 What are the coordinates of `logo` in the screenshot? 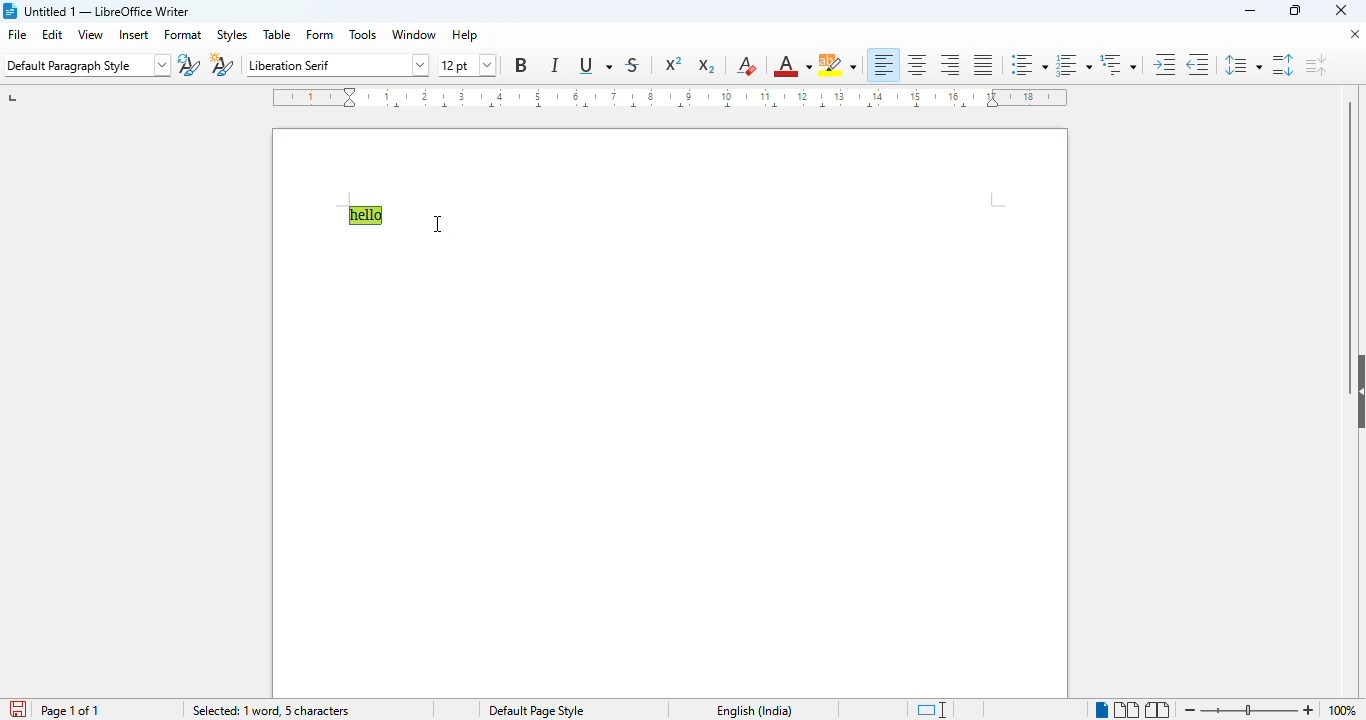 It's located at (12, 10).